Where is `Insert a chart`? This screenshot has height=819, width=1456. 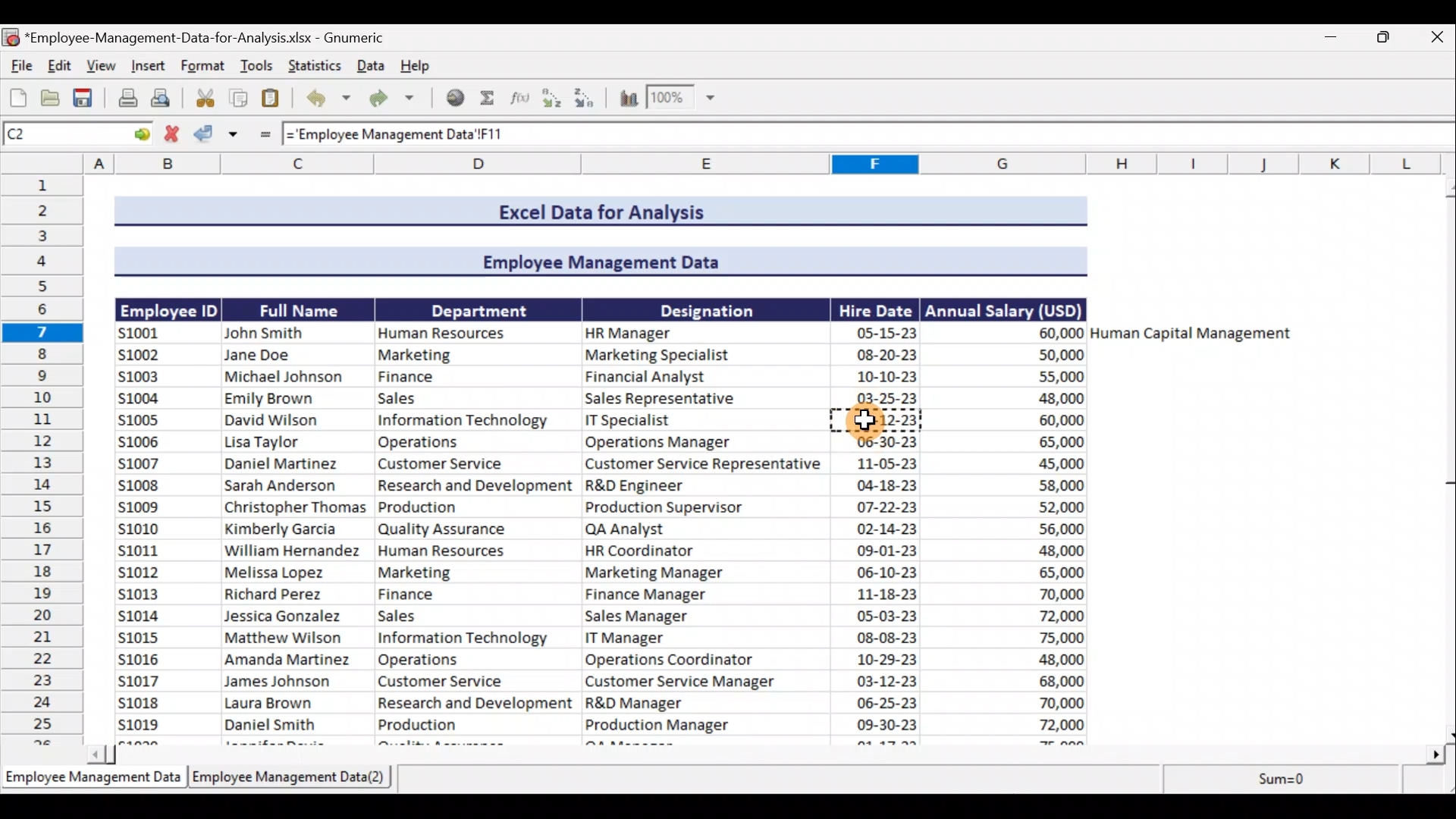 Insert a chart is located at coordinates (629, 98).